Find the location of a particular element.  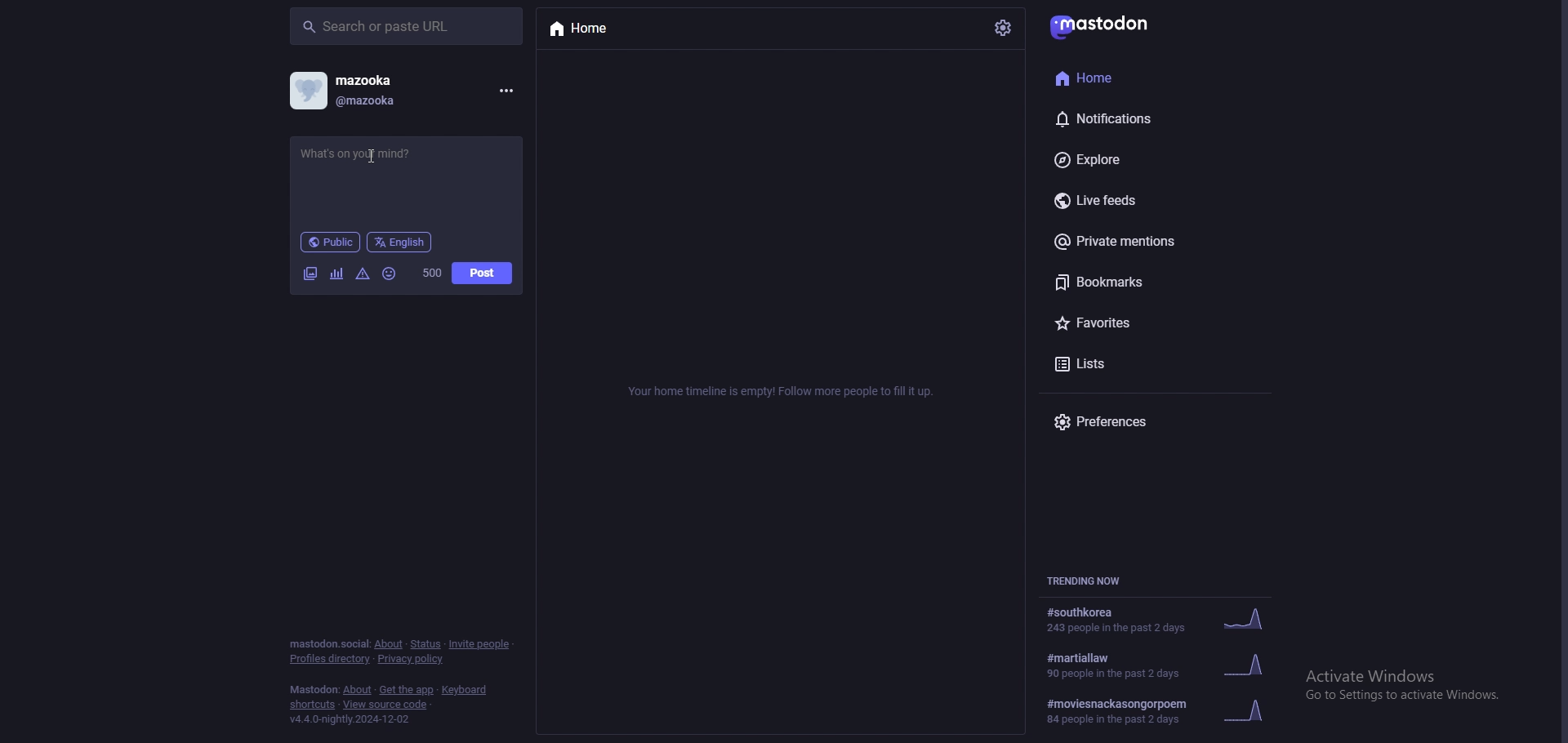

preferences is located at coordinates (1142, 422).